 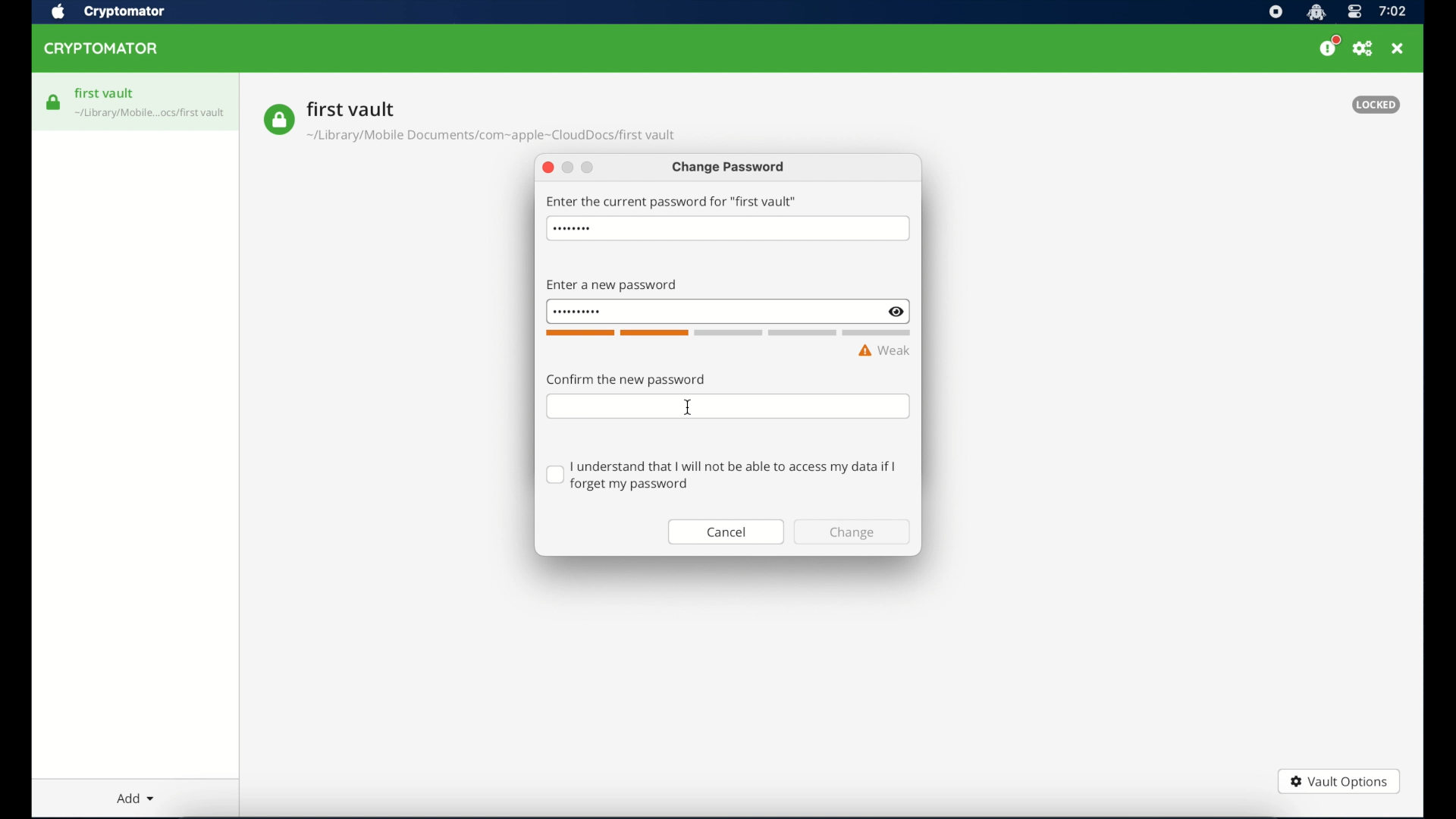 I want to click on enter new password , so click(x=611, y=286).